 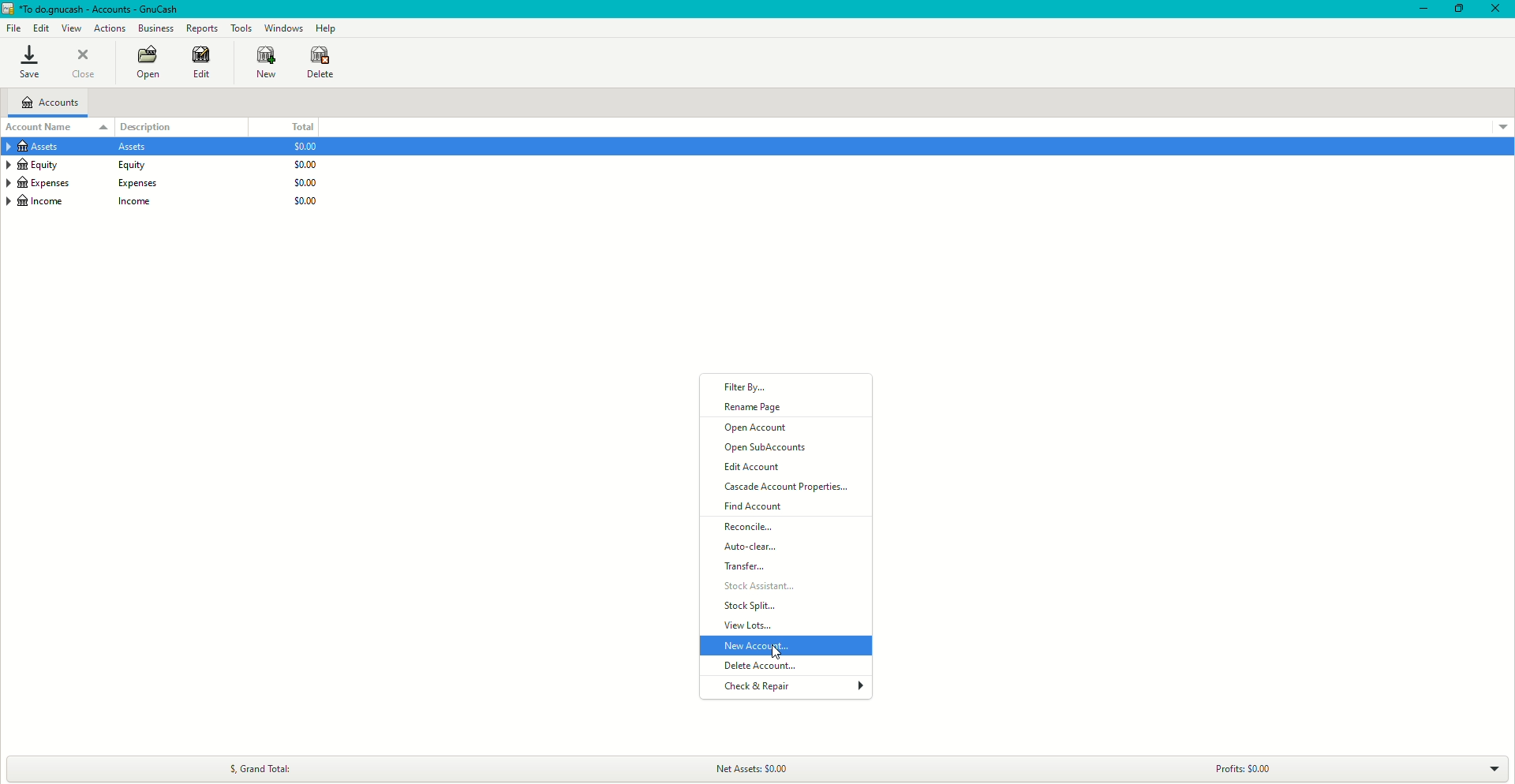 What do you see at coordinates (757, 507) in the screenshot?
I see `Find Account` at bounding box center [757, 507].